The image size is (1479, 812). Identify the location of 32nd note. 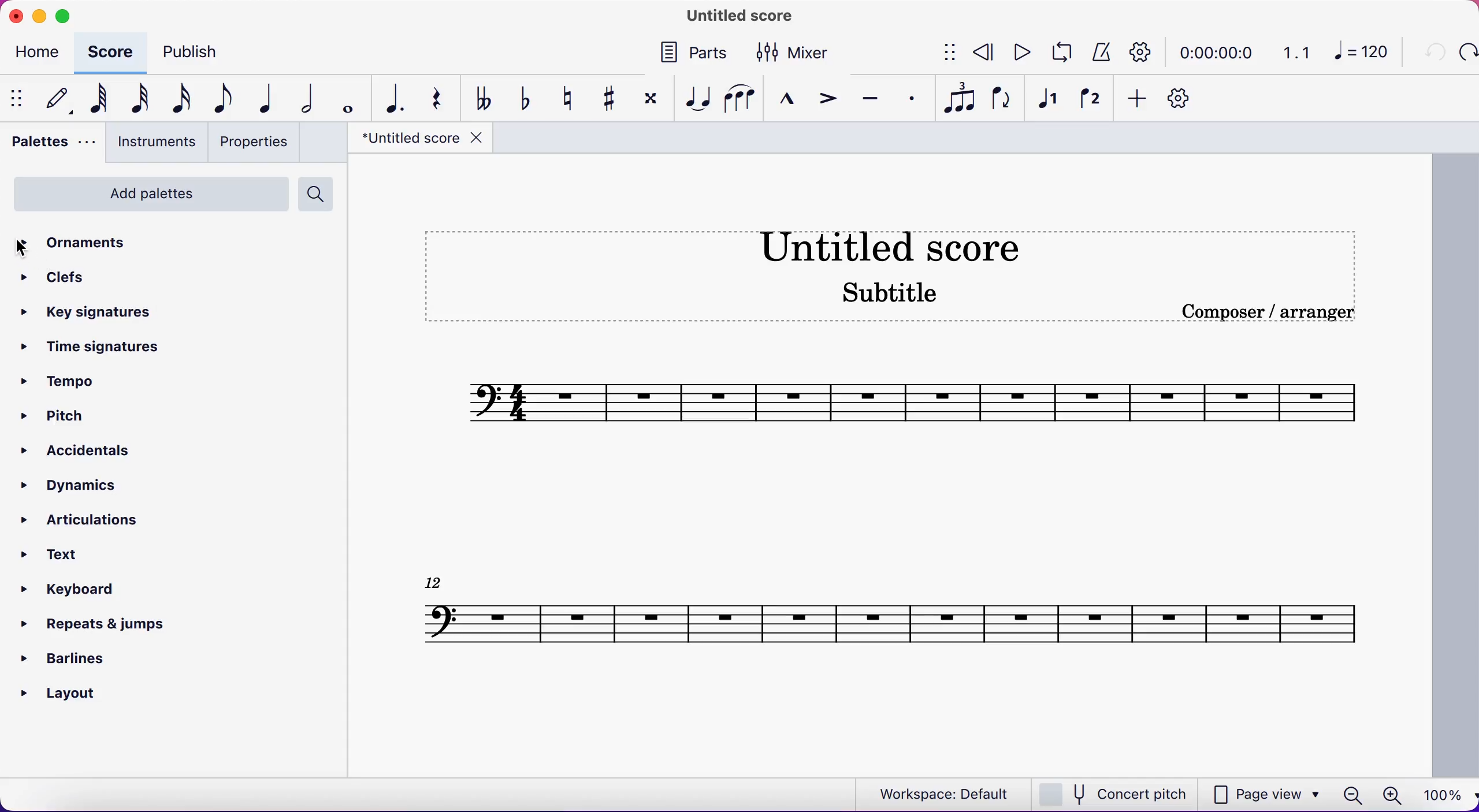
(134, 99).